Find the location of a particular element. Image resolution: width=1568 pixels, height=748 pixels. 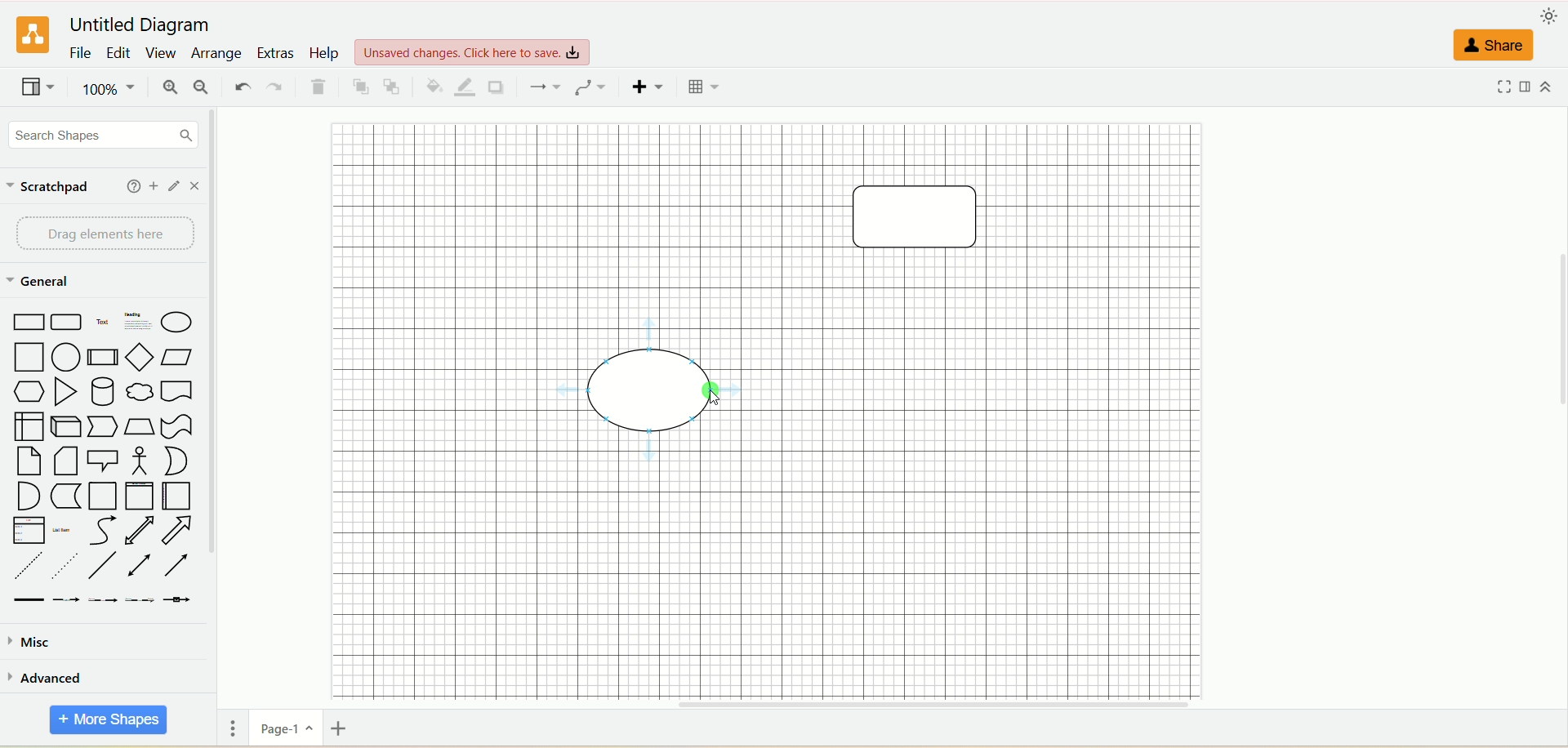

format is located at coordinates (1527, 88).